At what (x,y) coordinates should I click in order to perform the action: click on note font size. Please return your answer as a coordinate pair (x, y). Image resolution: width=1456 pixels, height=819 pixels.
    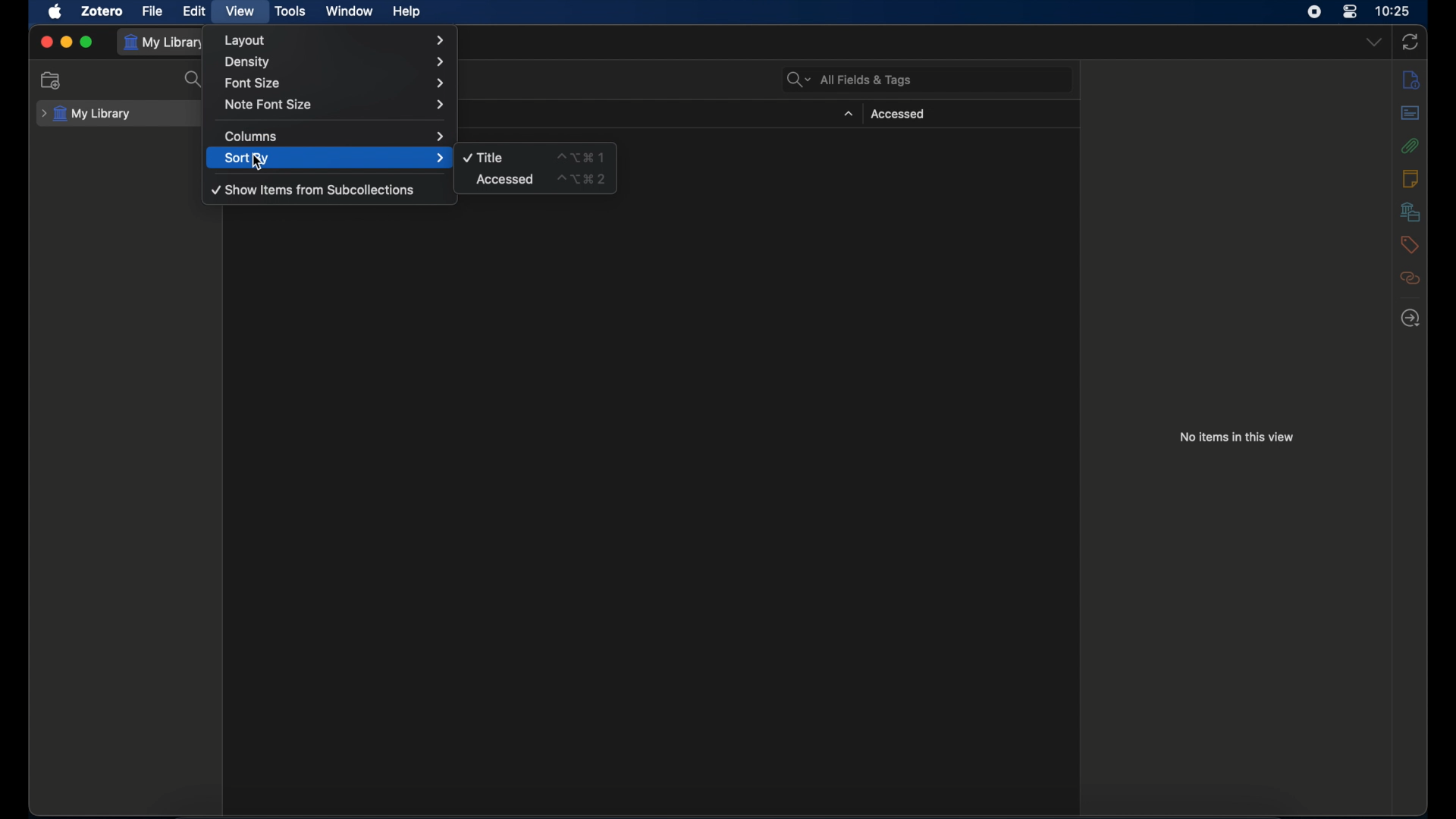
    Looking at the image, I should click on (335, 105).